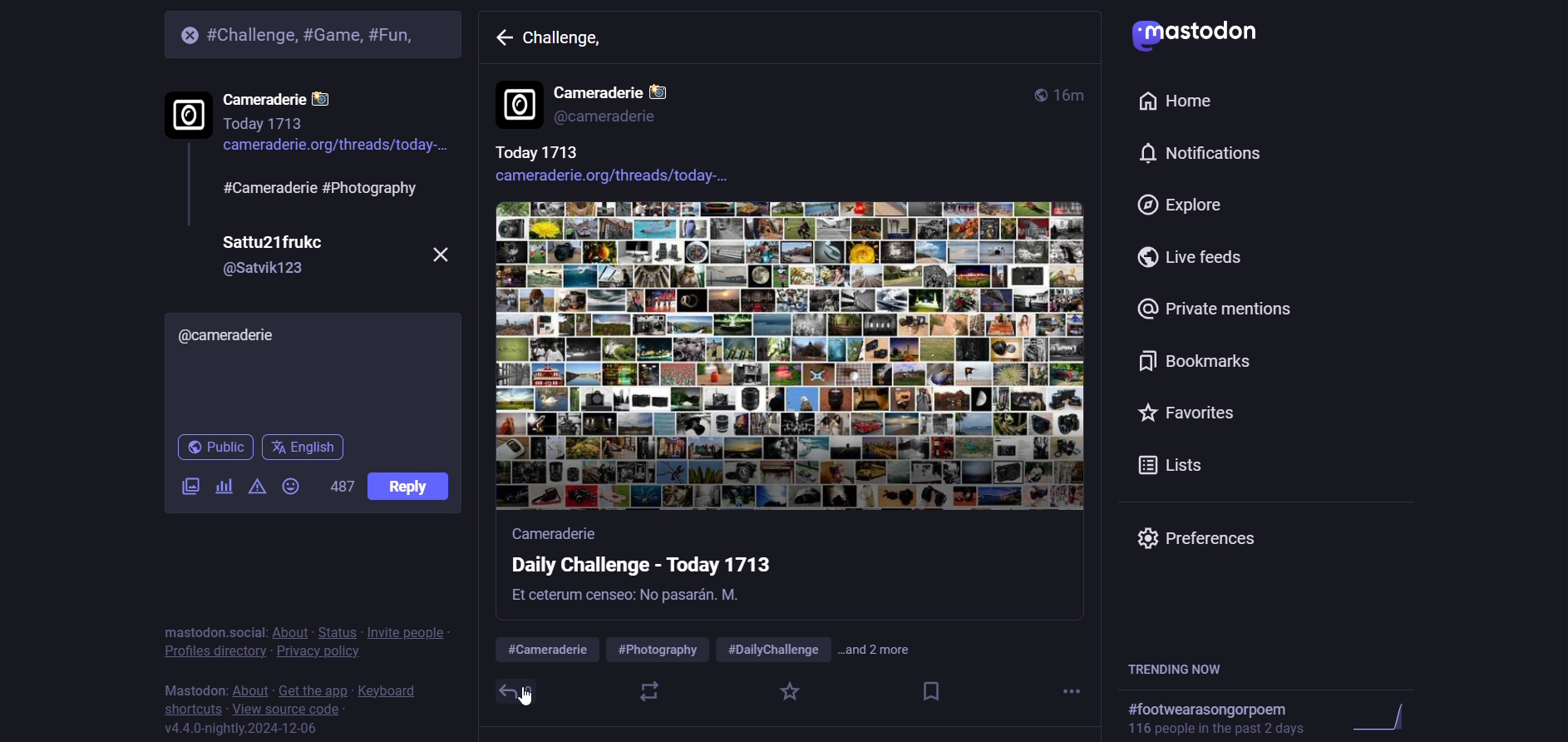 The image size is (1568, 742). I want to click on display picture, so click(514, 105).